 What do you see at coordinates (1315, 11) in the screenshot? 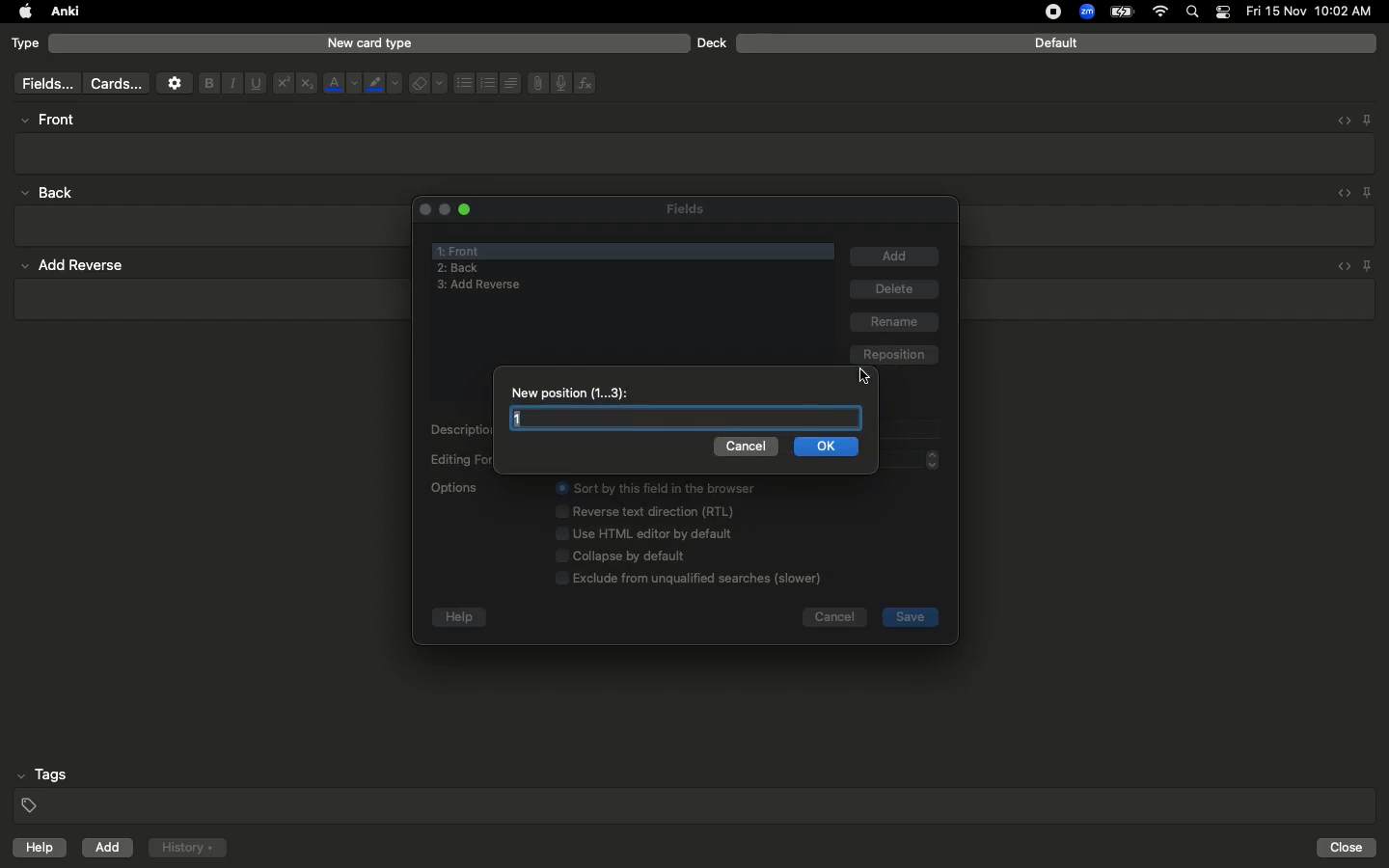
I see `date and time` at bounding box center [1315, 11].